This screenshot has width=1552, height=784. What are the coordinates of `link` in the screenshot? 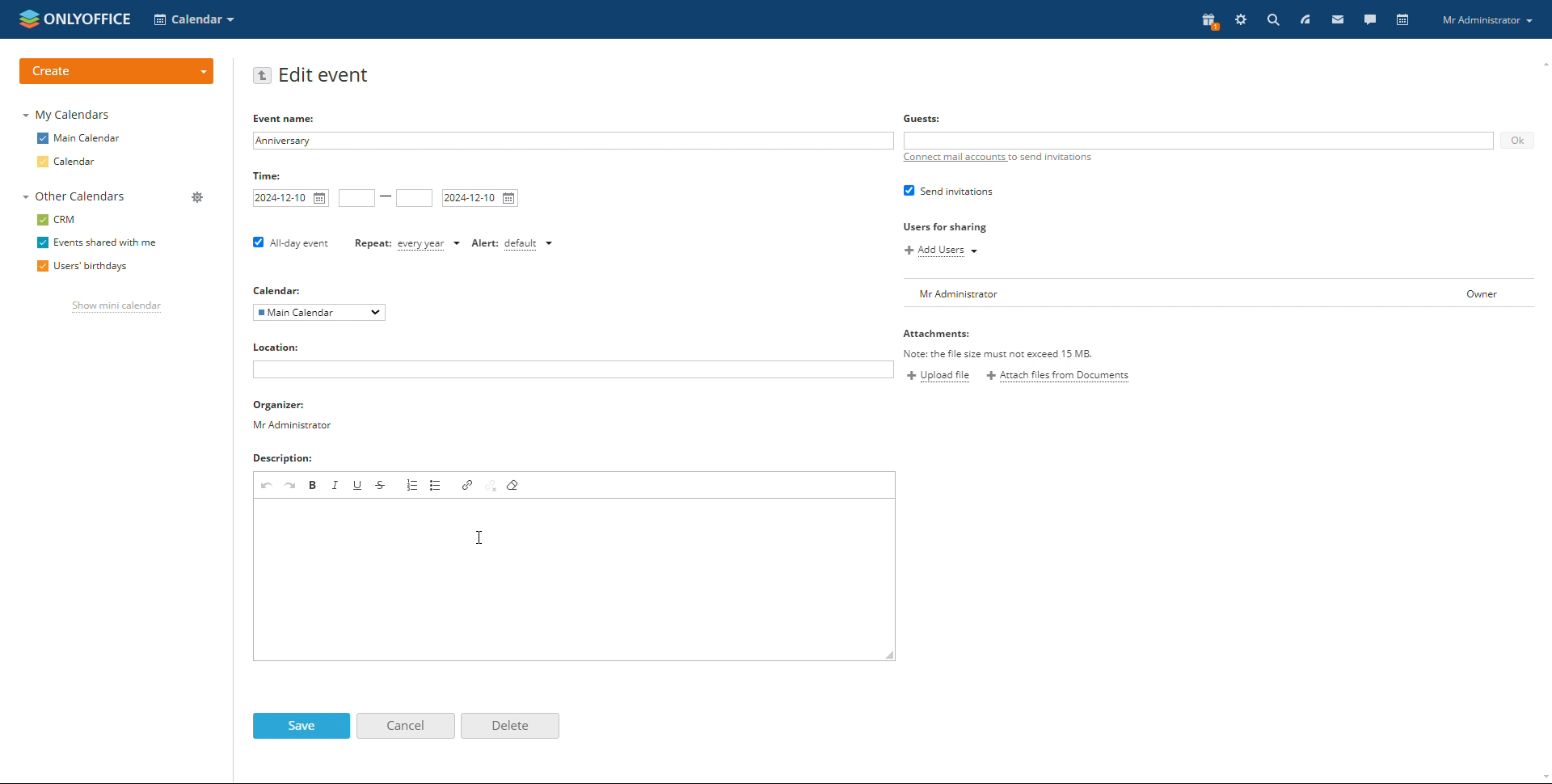 It's located at (466, 484).